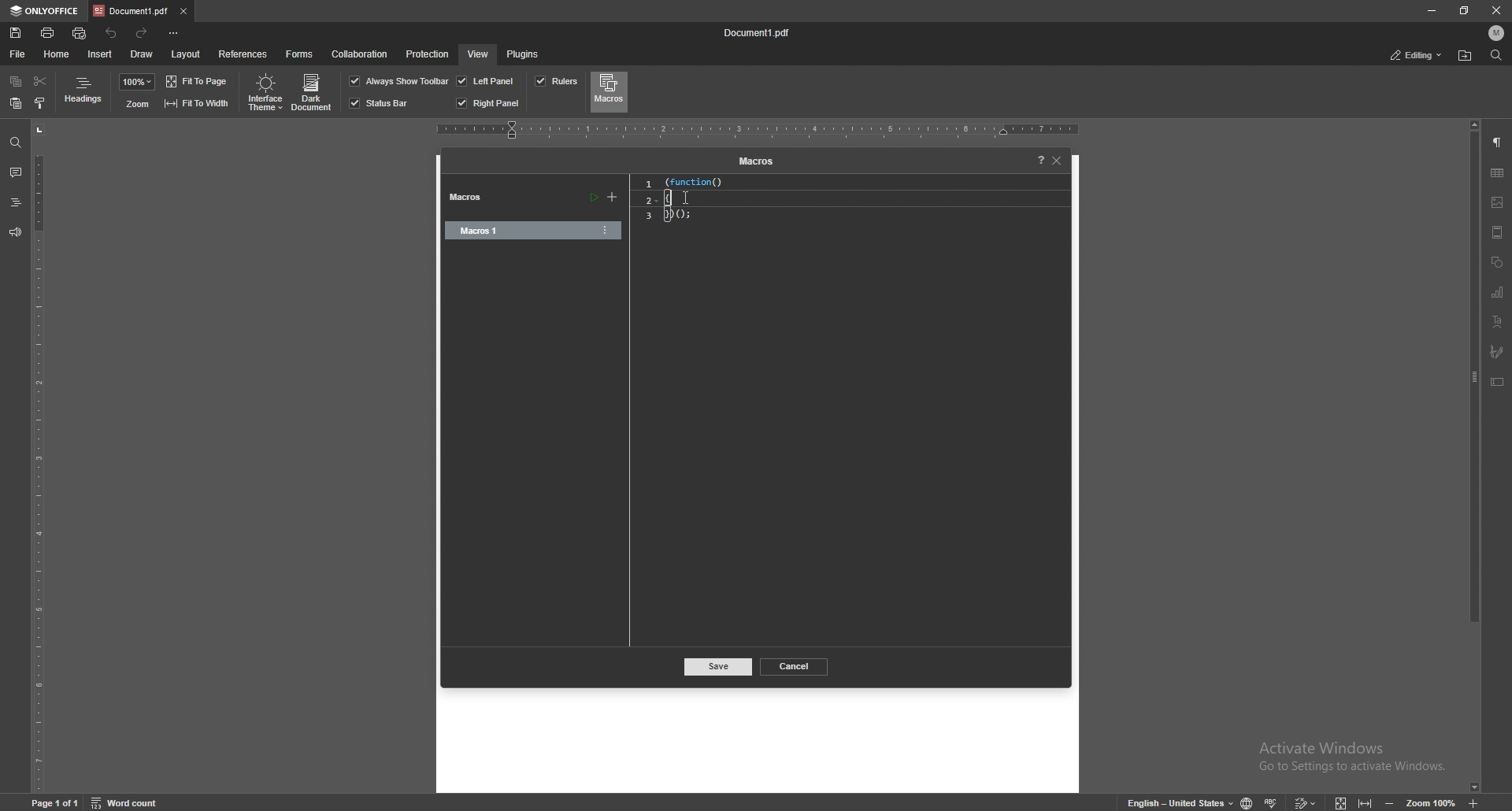 The width and height of the screenshot is (1512, 811). I want to click on horizontal scale, so click(758, 130).